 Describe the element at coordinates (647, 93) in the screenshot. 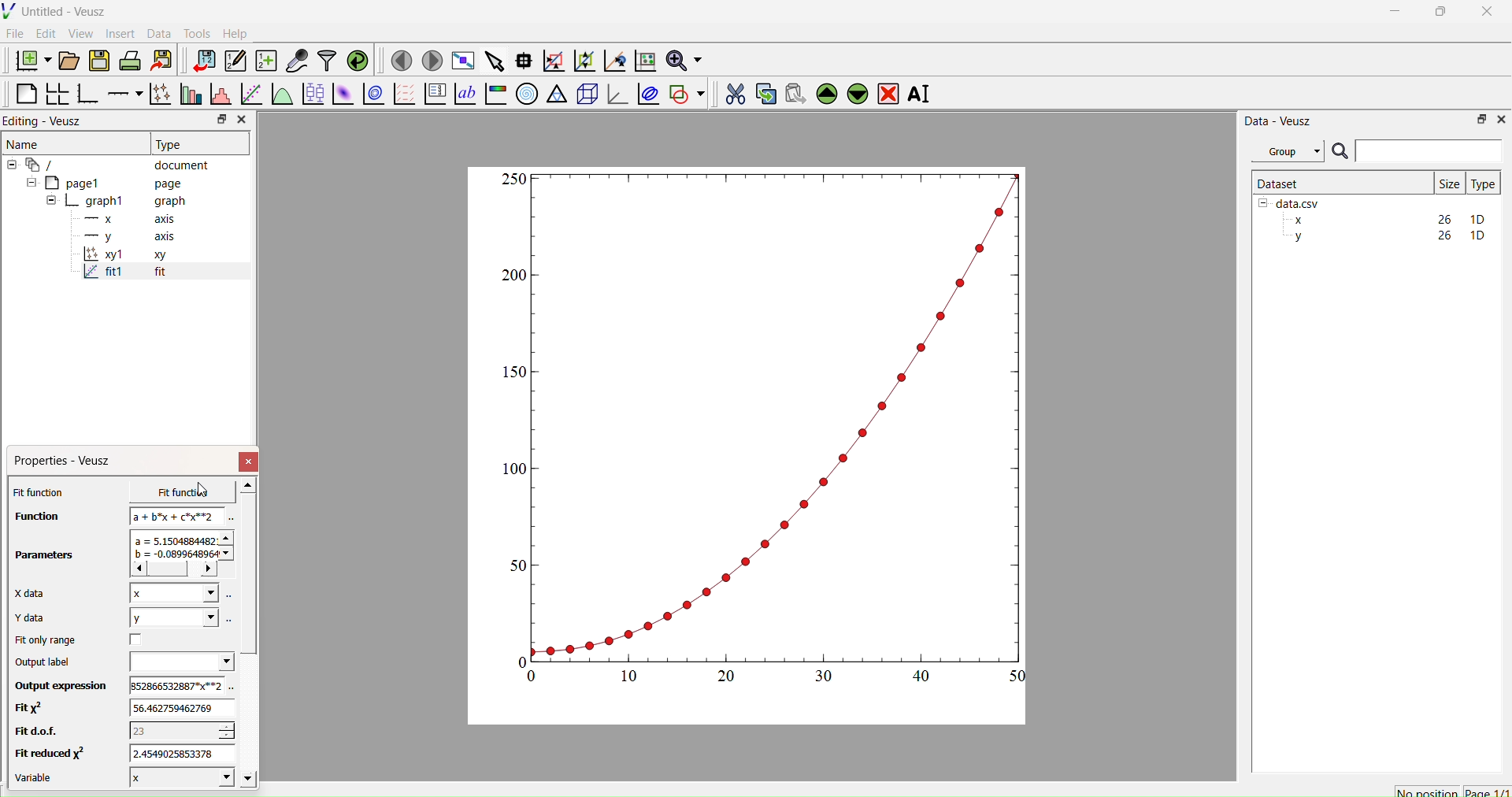

I see `Plot covariance ellipses` at that location.